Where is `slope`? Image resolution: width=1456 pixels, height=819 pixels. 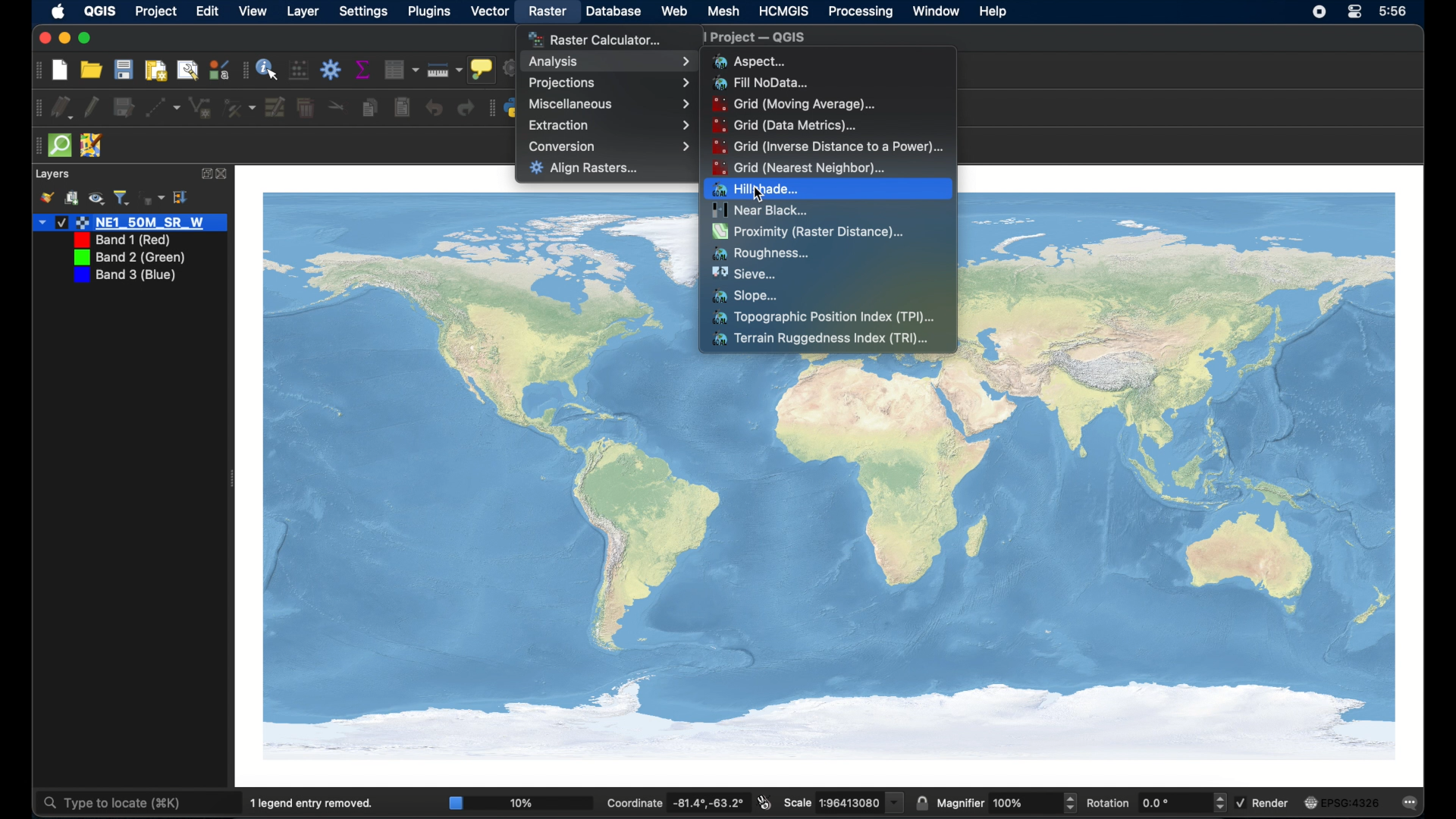
slope is located at coordinates (748, 296).